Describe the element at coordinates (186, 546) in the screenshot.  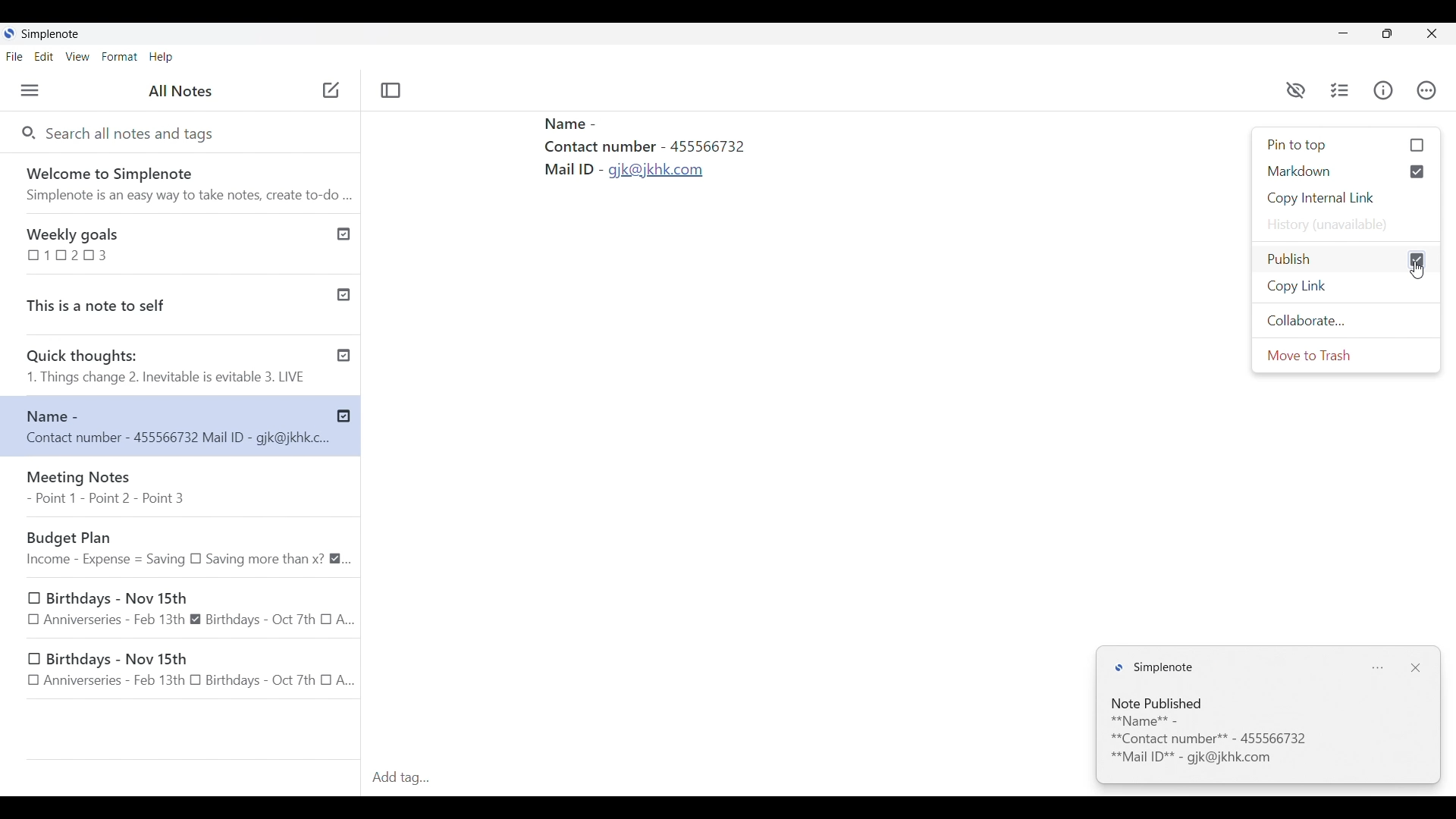
I see `Budget Plan` at that location.